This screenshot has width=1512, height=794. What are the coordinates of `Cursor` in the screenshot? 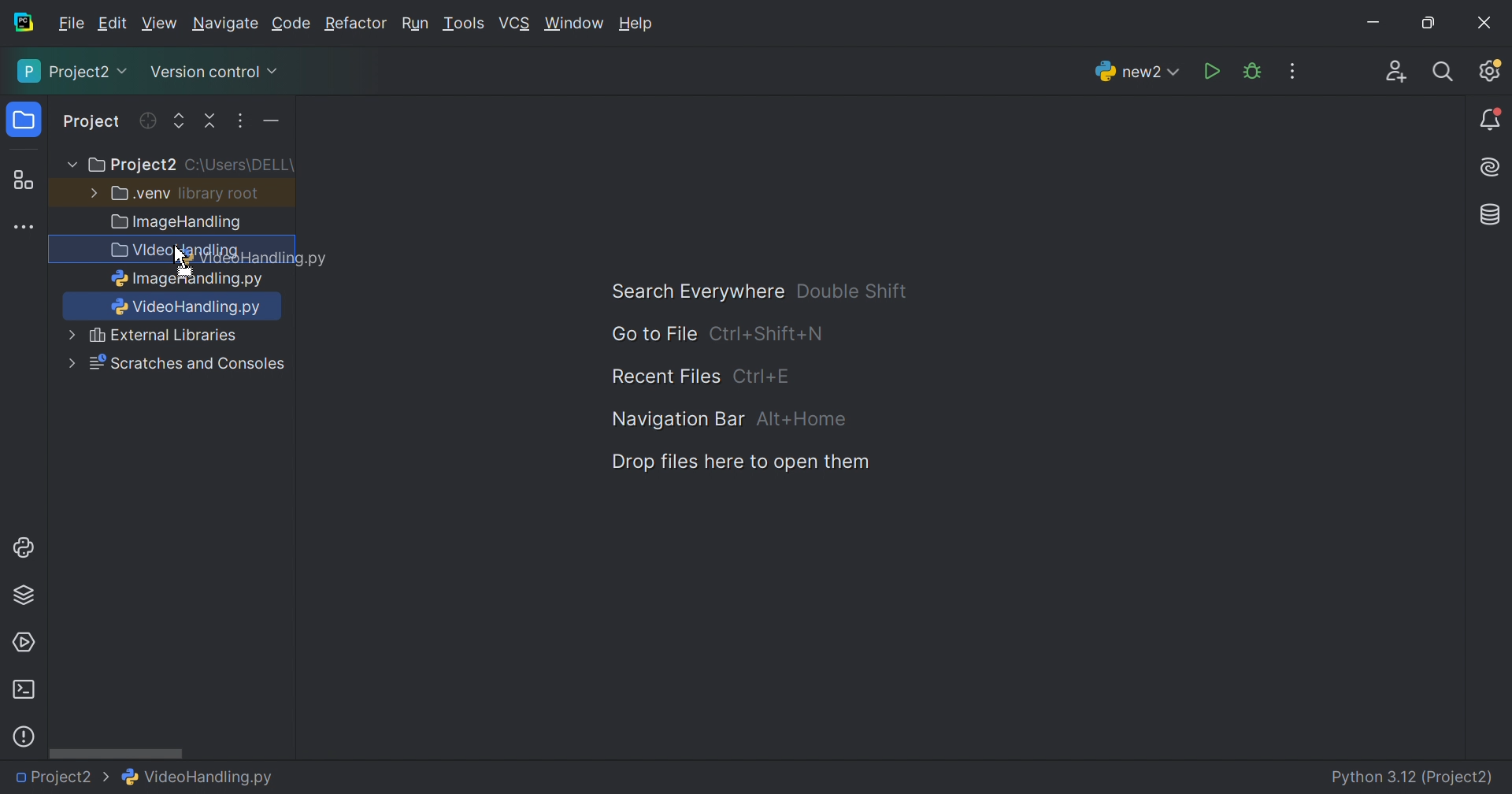 It's located at (183, 262).